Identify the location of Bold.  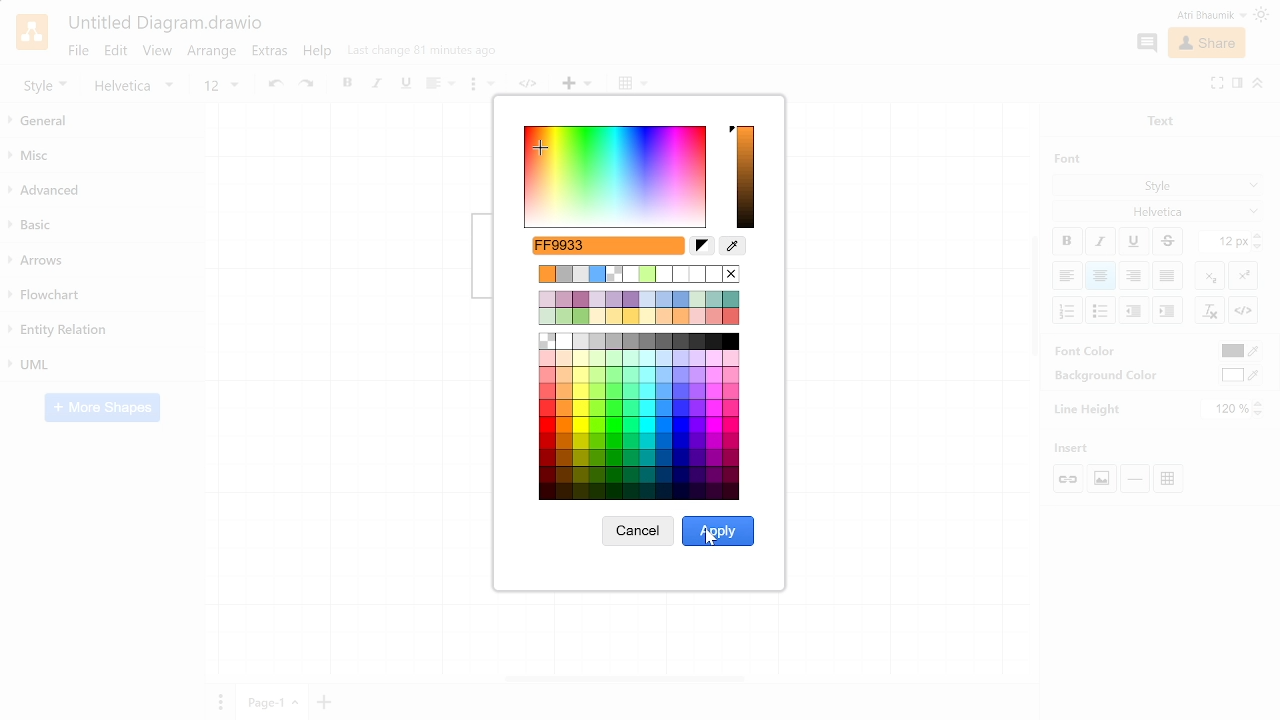
(1067, 241).